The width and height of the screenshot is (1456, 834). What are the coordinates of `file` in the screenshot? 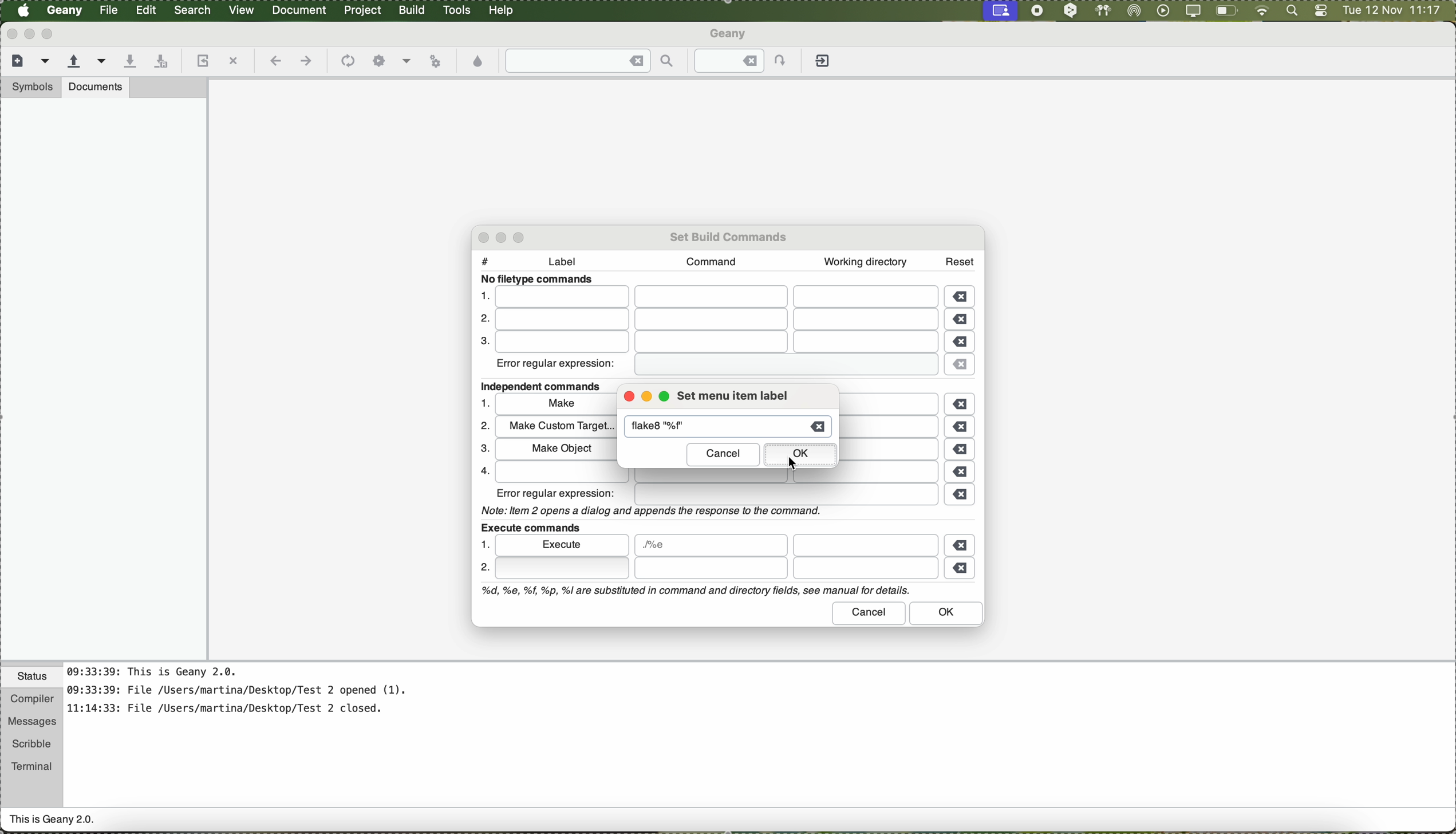 It's located at (894, 403).